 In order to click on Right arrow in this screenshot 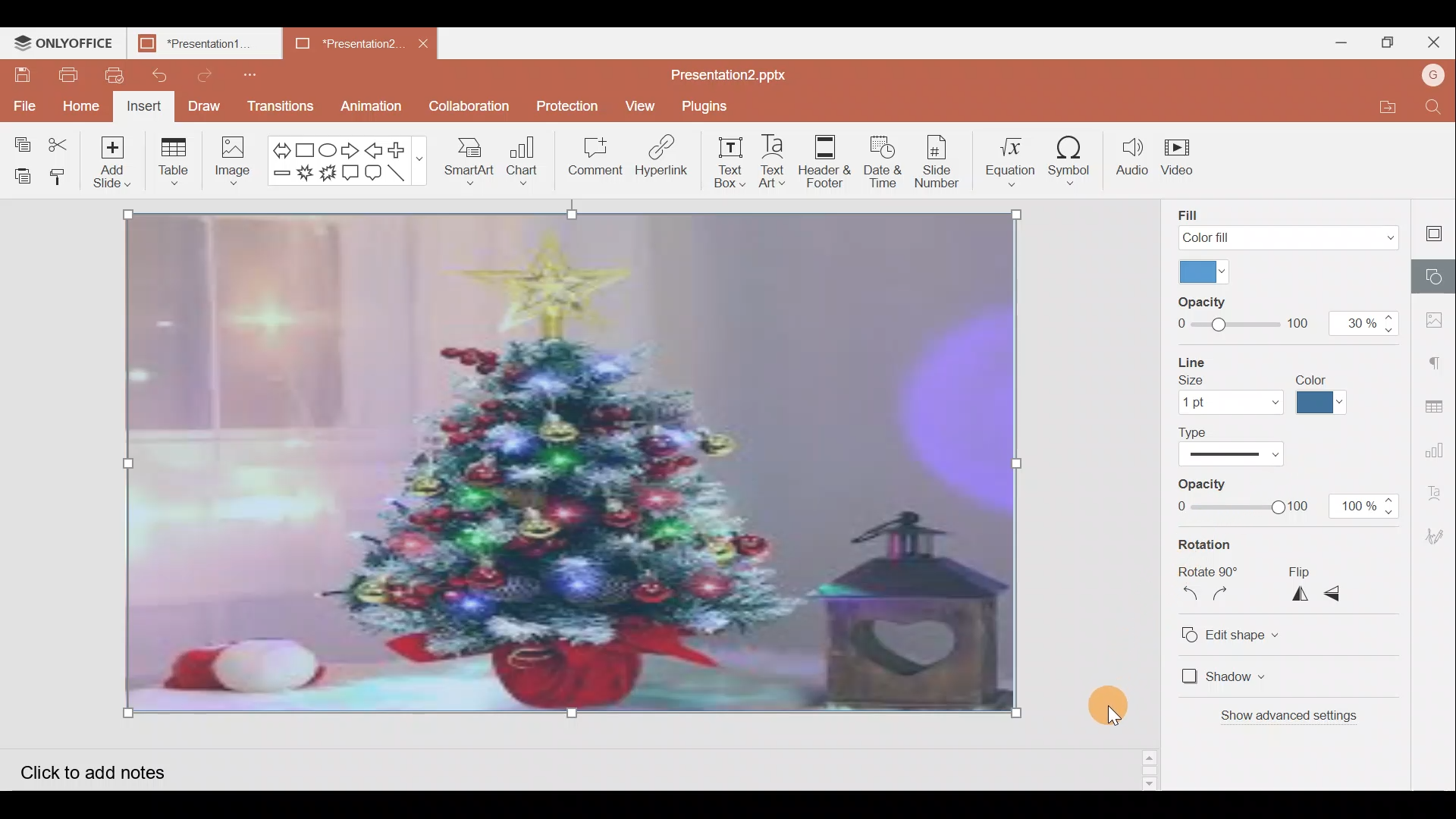, I will do `click(351, 148)`.